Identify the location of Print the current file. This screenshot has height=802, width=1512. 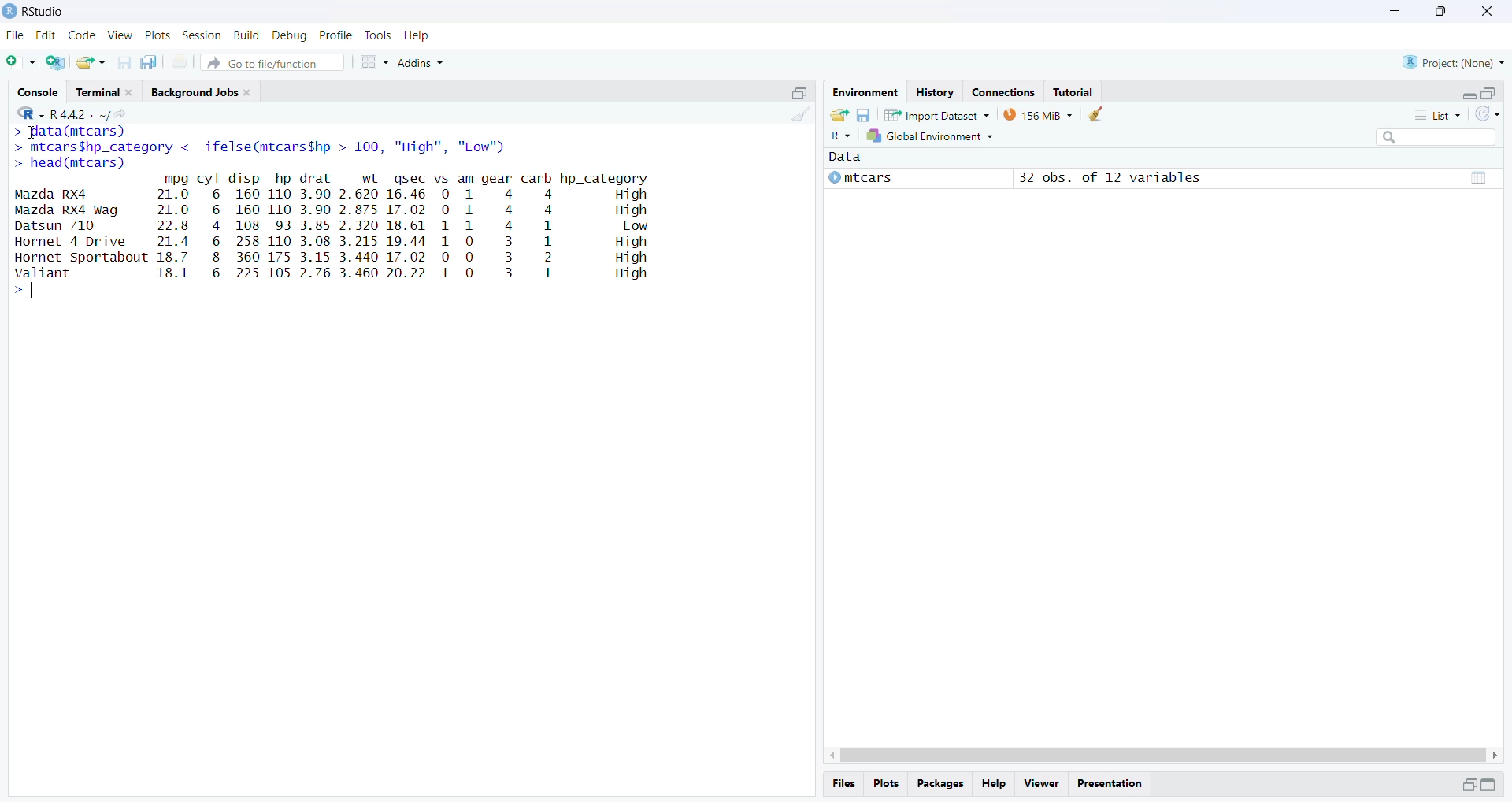
(180, 65).